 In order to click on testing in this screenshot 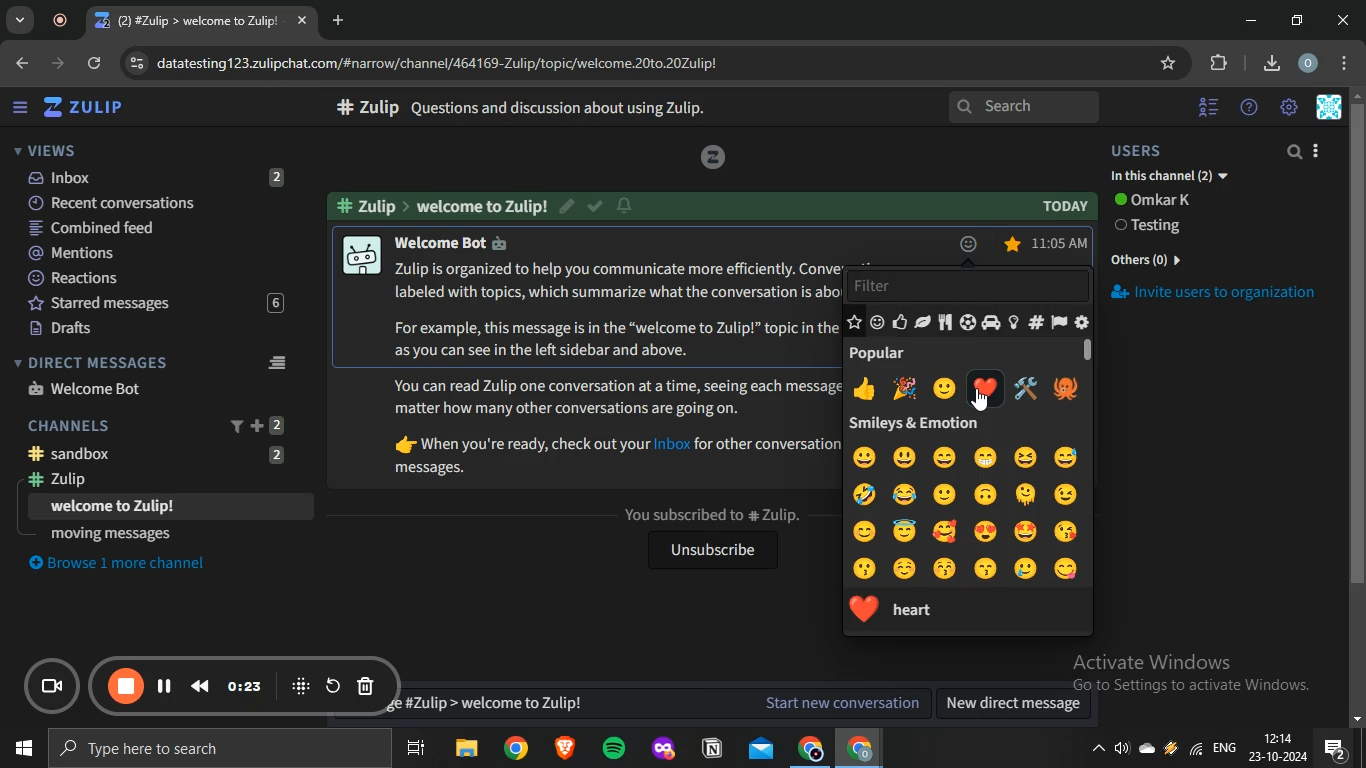, I will do `click(1153, 227)`.